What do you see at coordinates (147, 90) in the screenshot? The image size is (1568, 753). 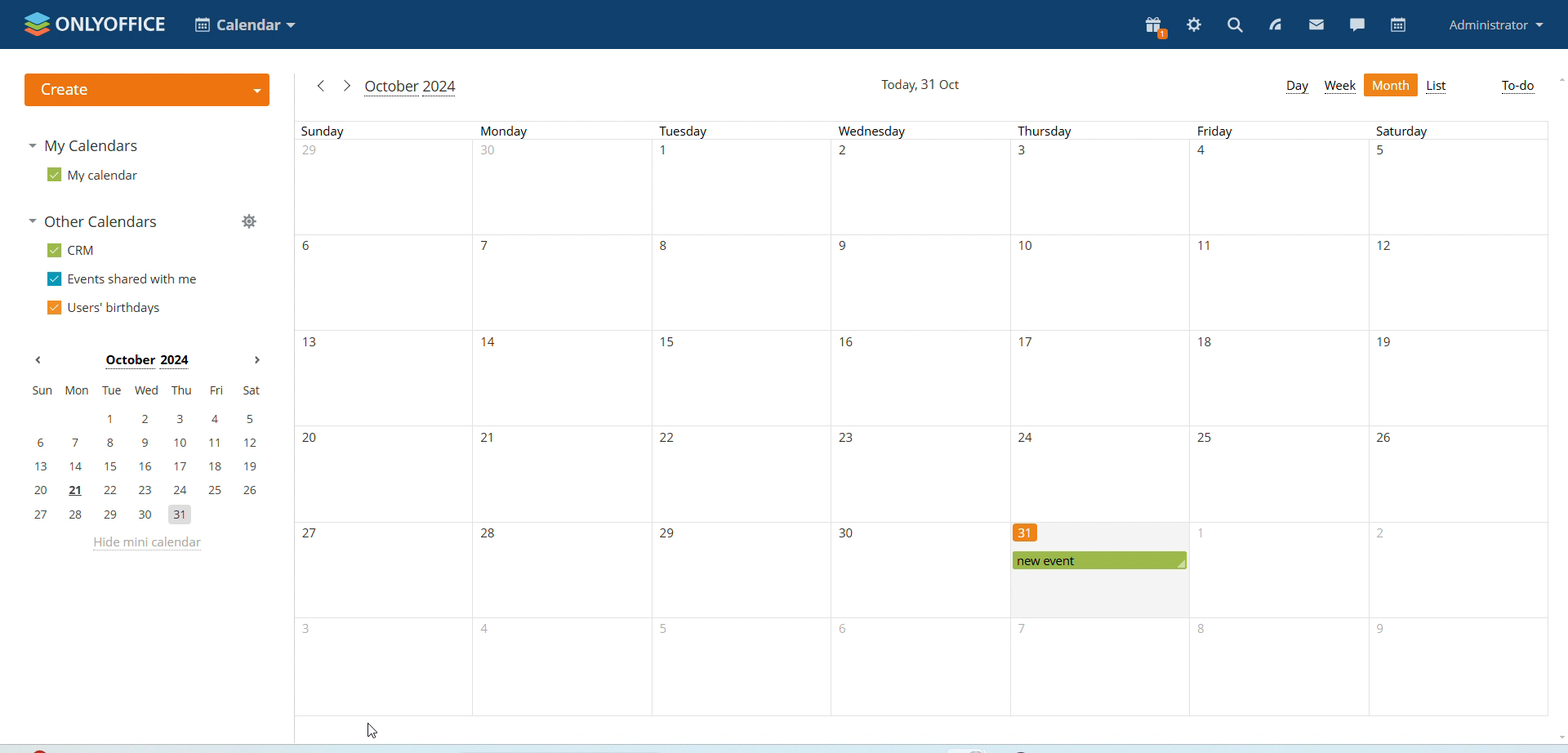 I see `create` at bounding box center [147, 90].